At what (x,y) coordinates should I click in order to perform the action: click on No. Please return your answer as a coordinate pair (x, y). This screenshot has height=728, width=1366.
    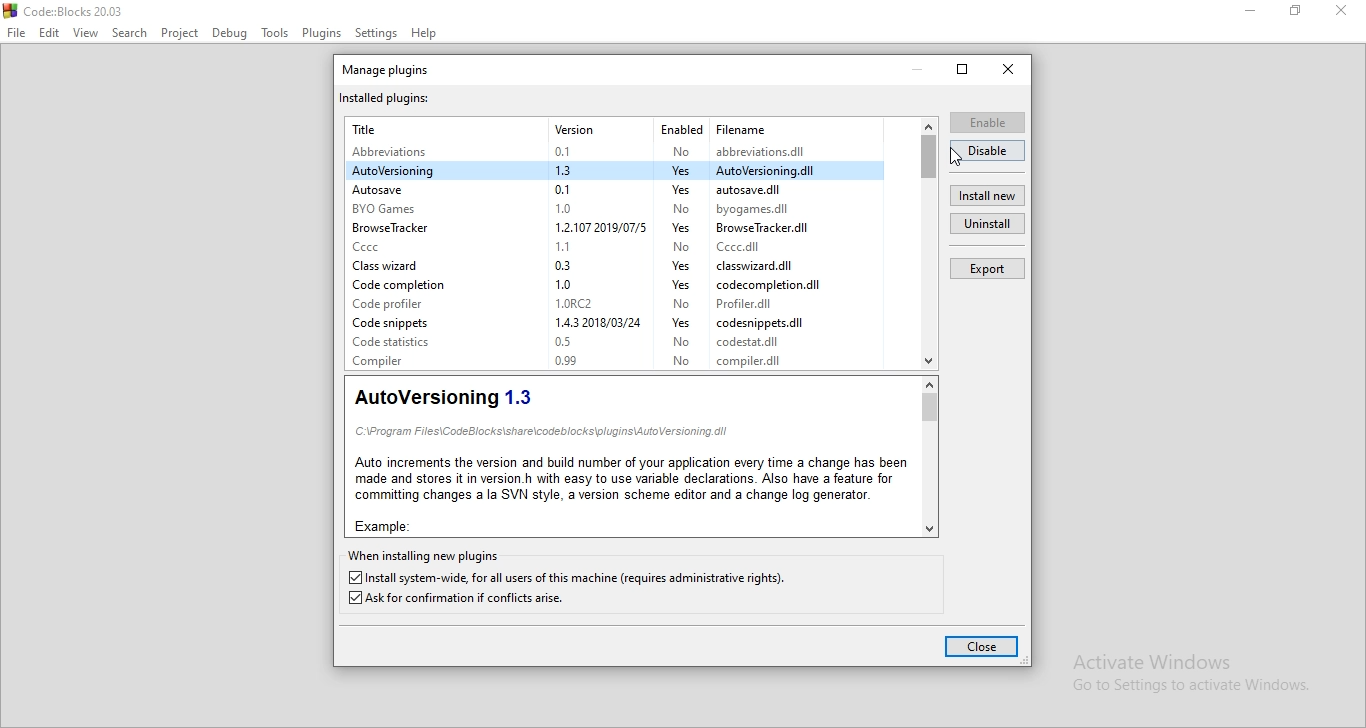
    Looking at the image, I should click on (679, 206).